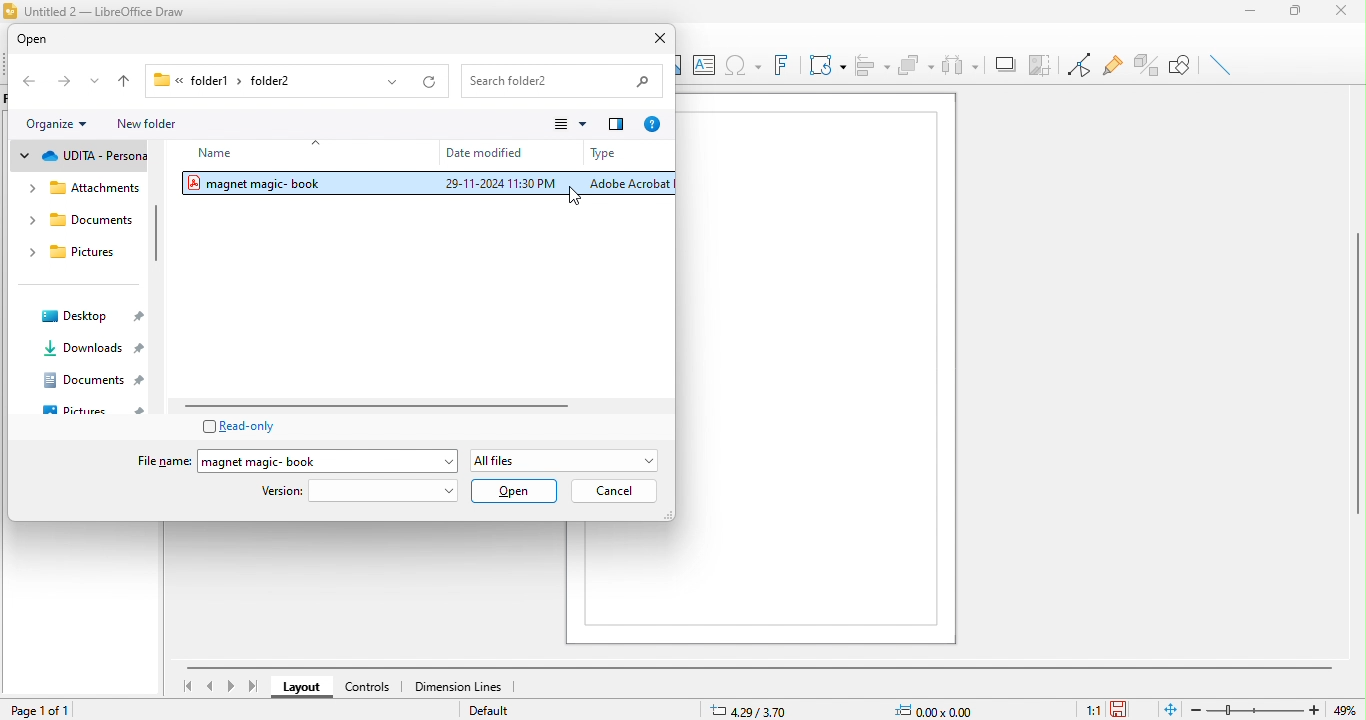  Describe the element at coordinates (289, 83) in the screenshot. I see `folder 2` at that location.